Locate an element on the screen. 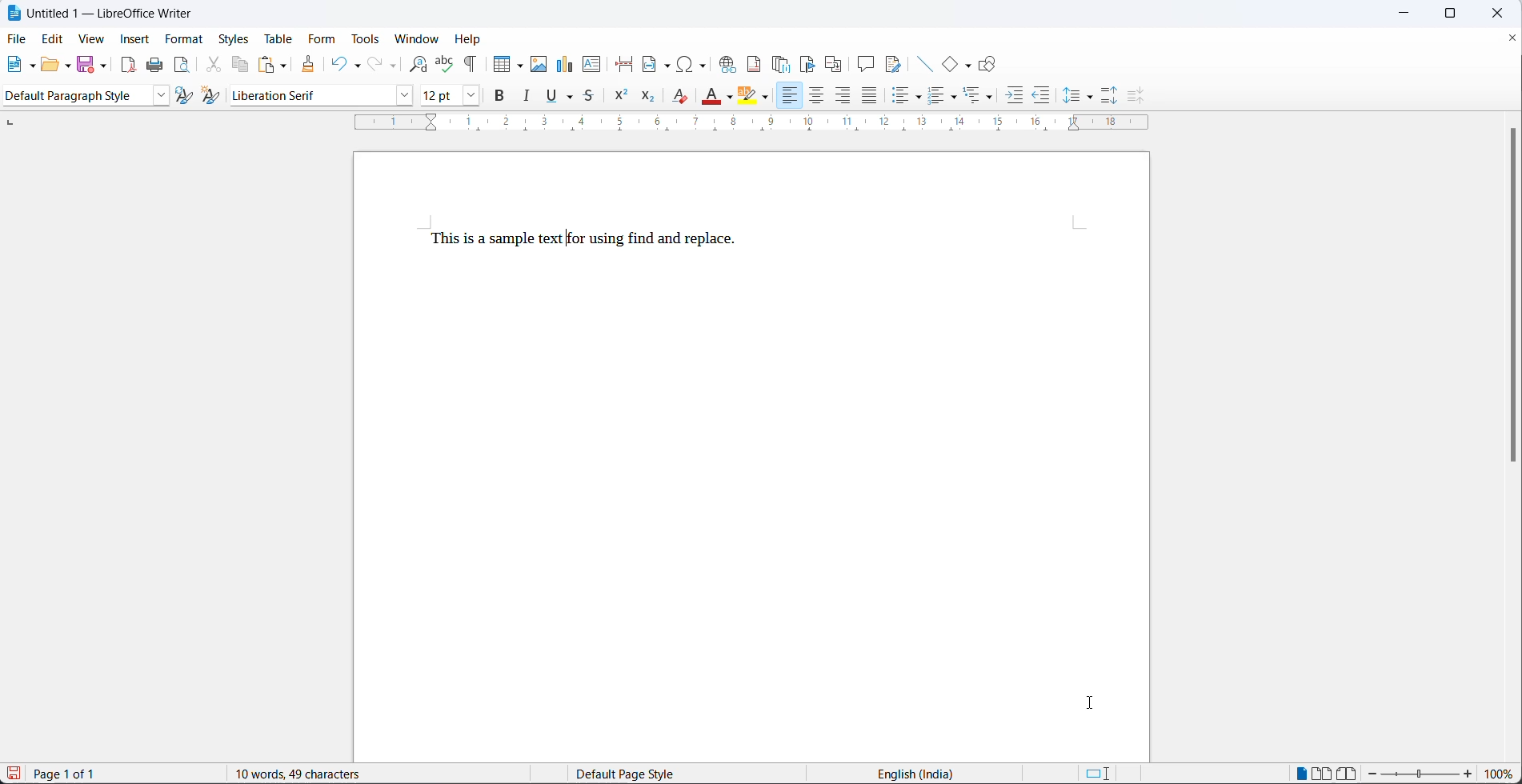  export as pdf is located at coordinates (128, 64).